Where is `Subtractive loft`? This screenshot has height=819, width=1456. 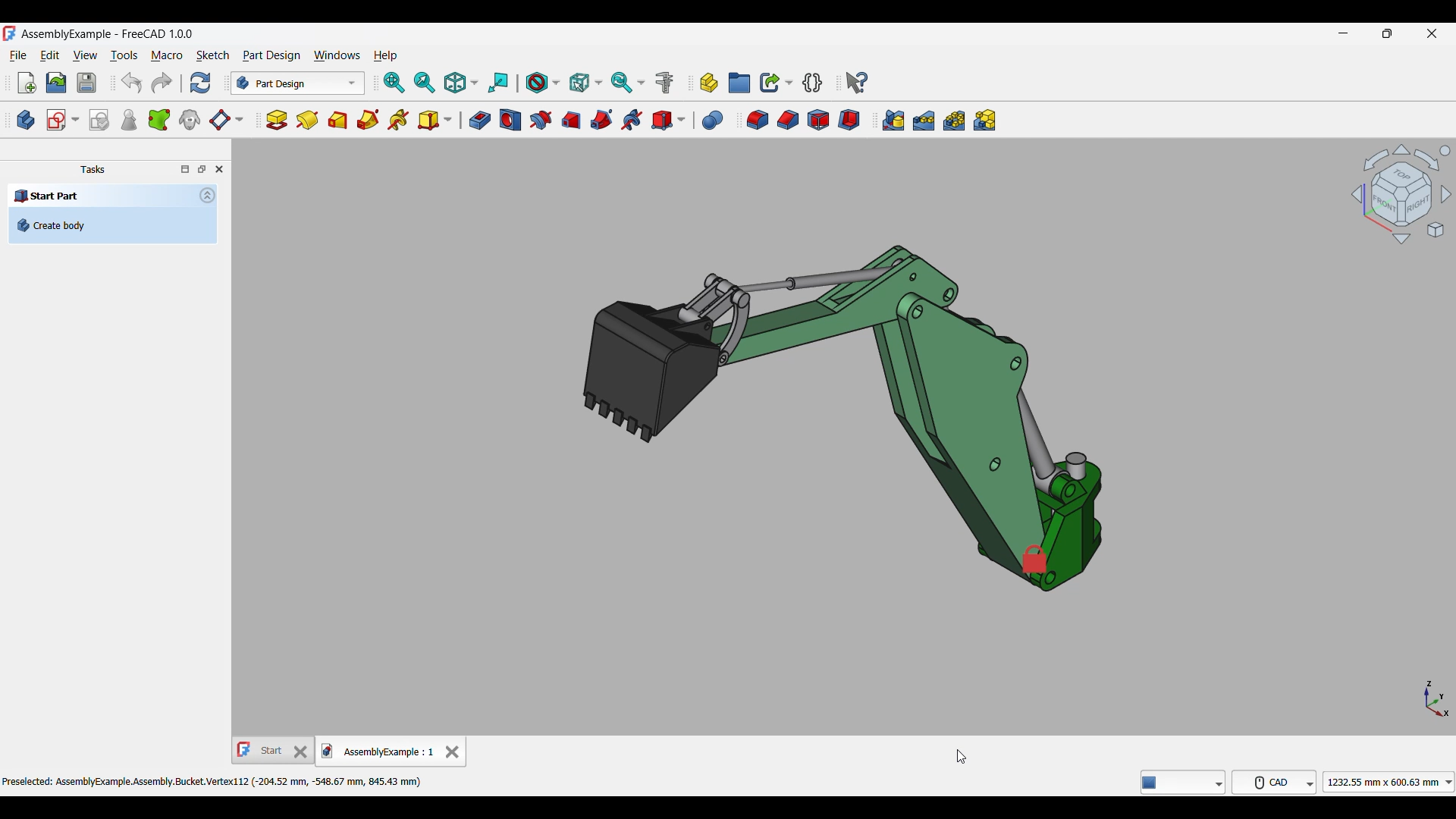
Subtractive loft is located at coordinates (572, 121).